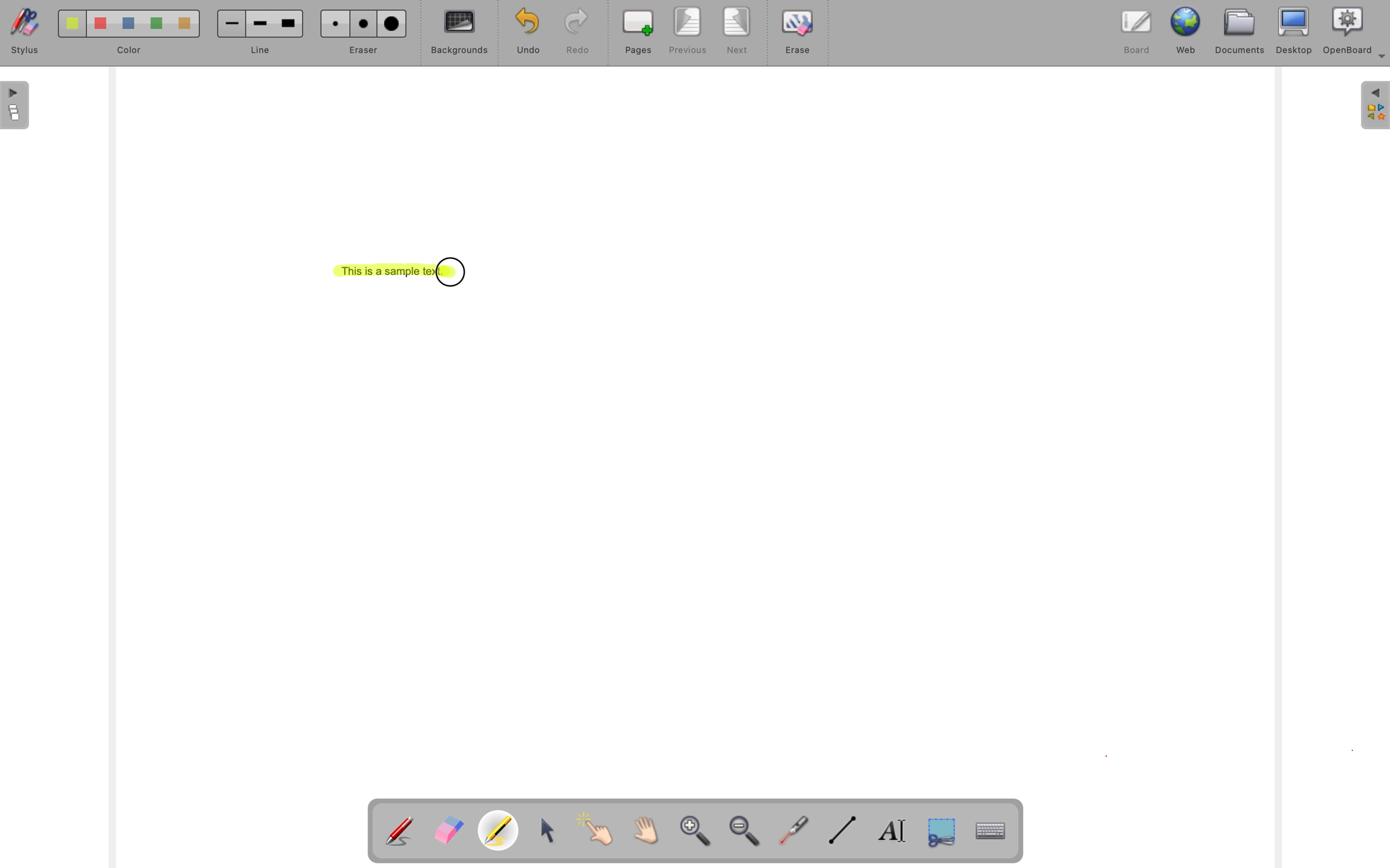 This screenshot has height=868, width=1390. Describe the element at coordinates (554, 828) in the screenshot. I see `select and modify objects` at that location.